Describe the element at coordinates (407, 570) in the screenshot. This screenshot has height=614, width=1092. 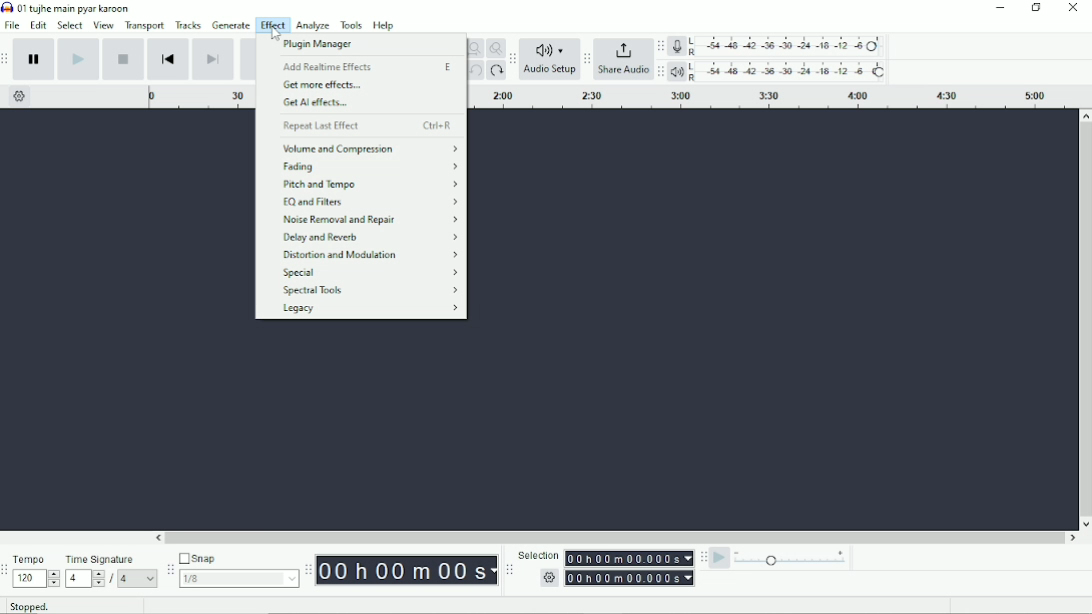
I see `Time` at that location.